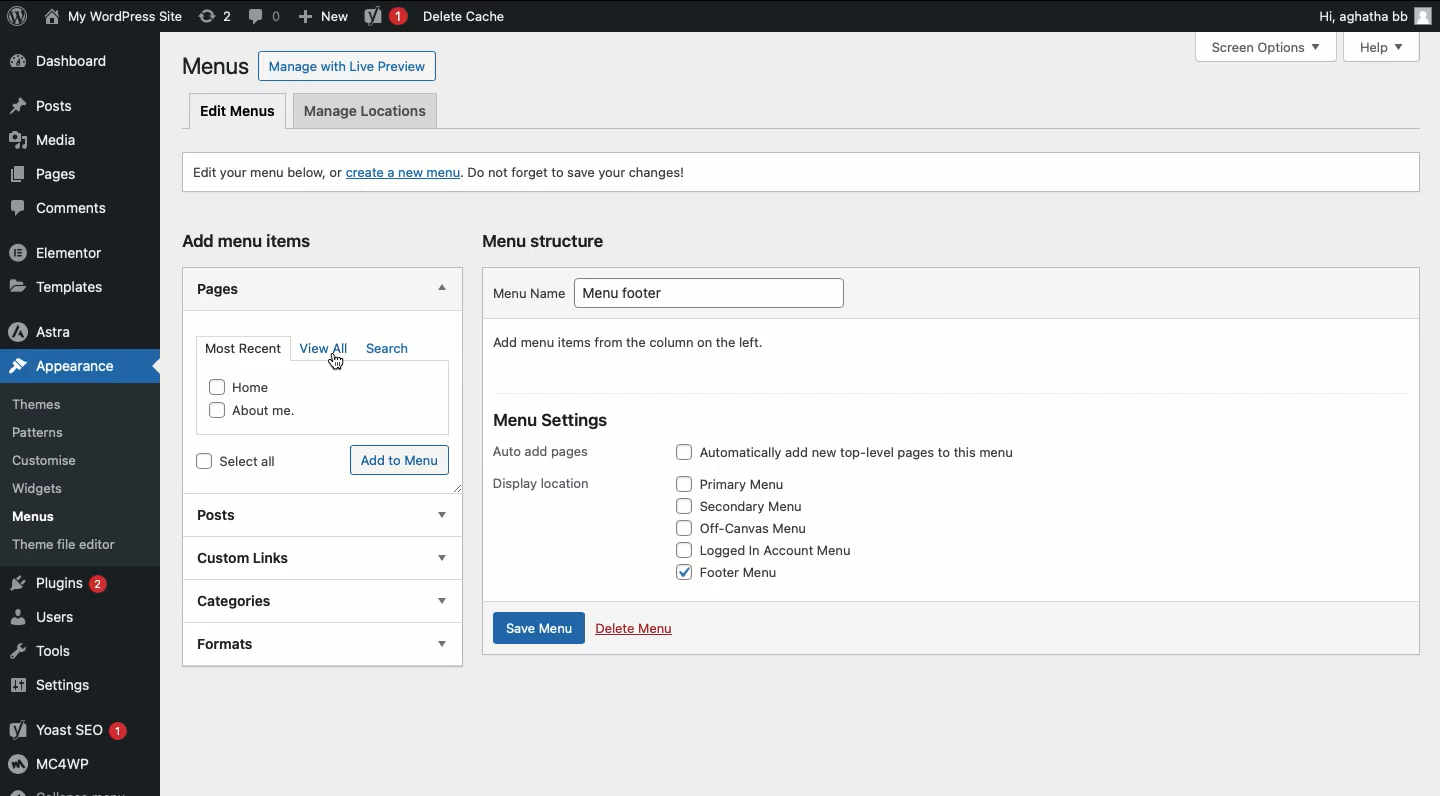 This screenshot has width=1440, height=796. Describe the element at coordinates (242, 349) in the screenshot. I see `Most recent` at that location.